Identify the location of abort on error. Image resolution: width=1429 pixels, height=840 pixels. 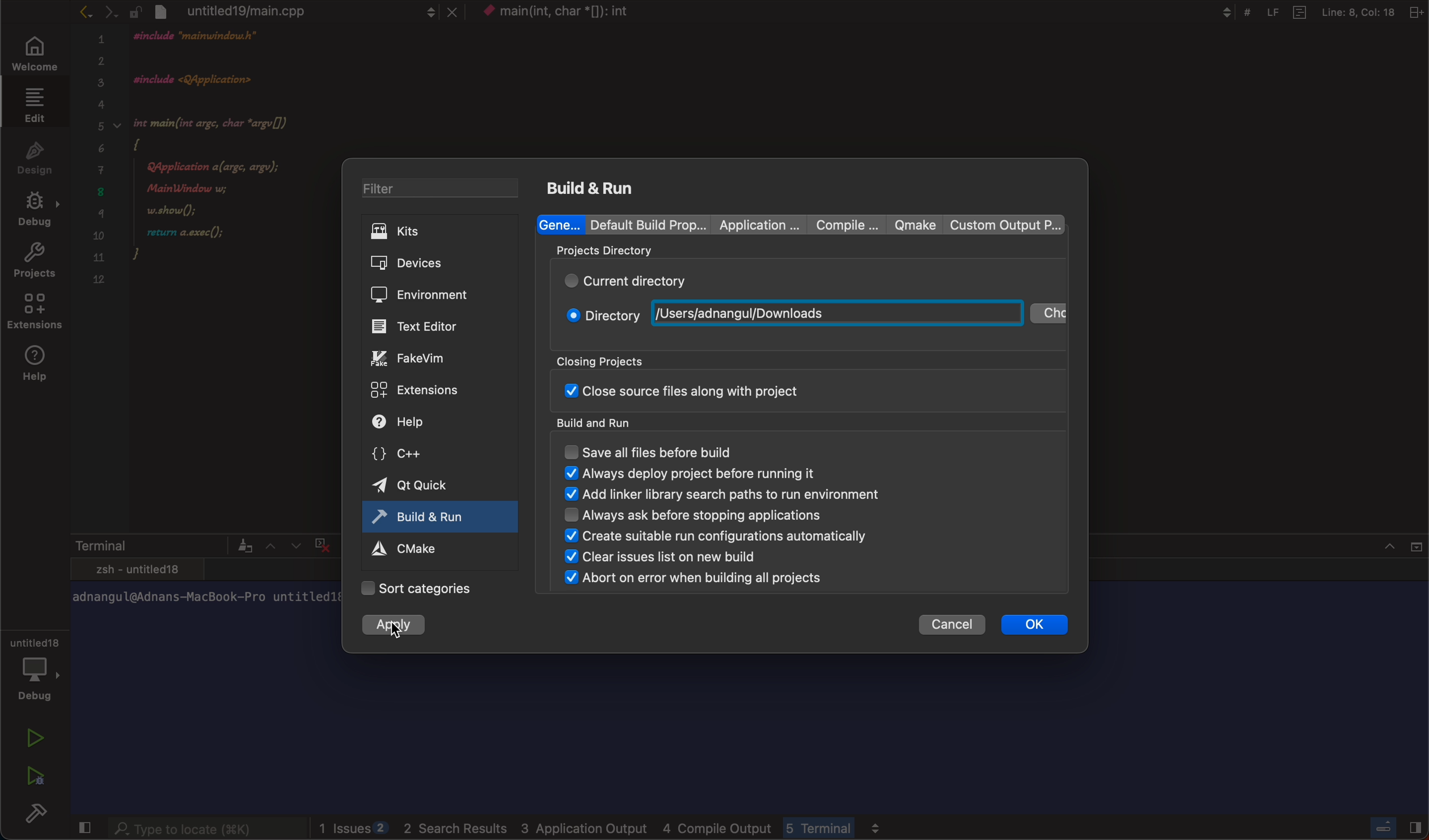
(687, 579).